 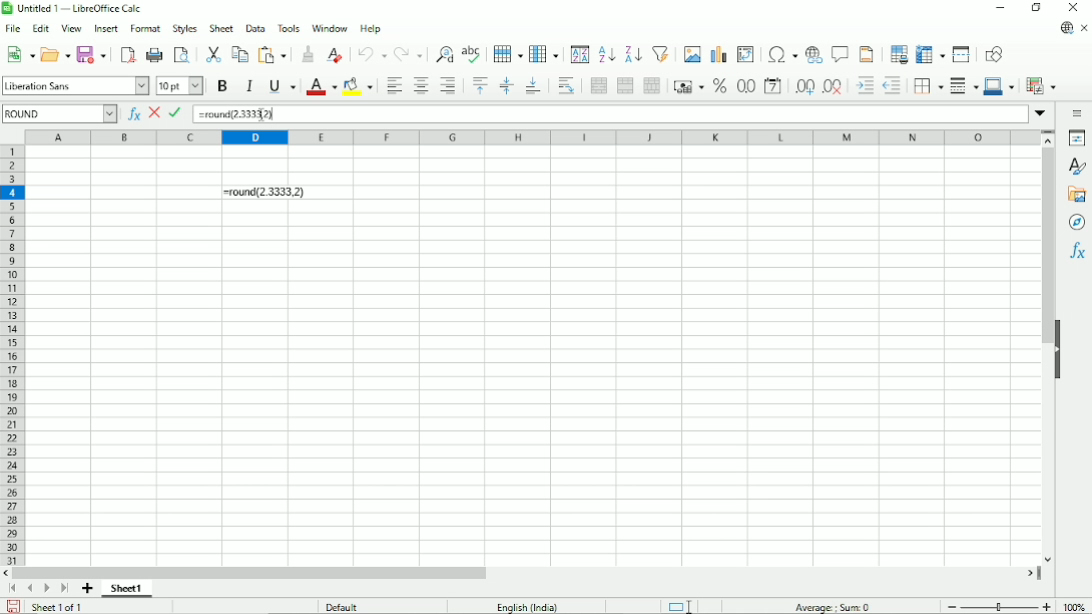 I want to click on =round(2.3333,2), so click(x=264, y=192).